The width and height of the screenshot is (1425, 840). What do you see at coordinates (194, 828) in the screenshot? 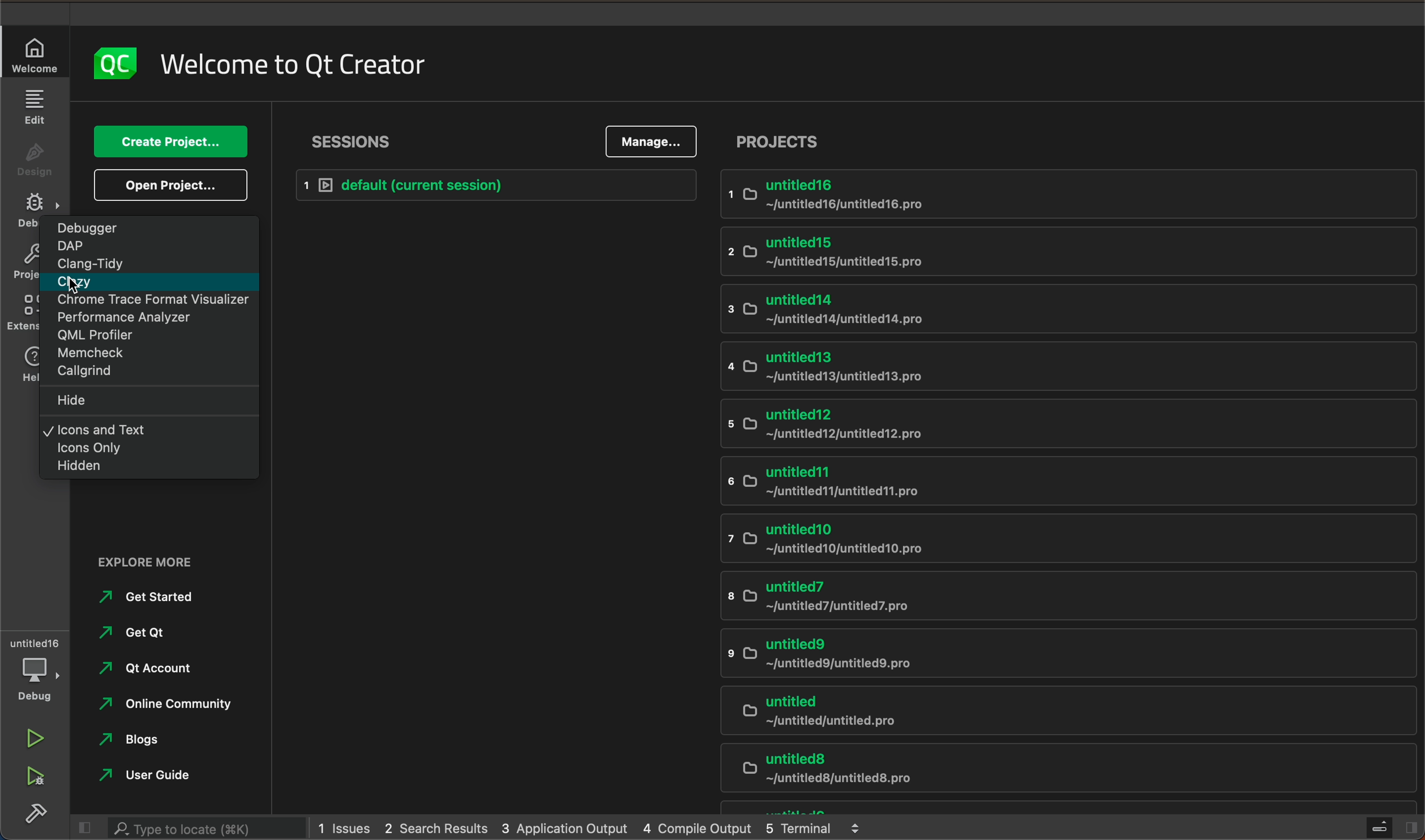
I see `search` at bounding box center [194, 828].